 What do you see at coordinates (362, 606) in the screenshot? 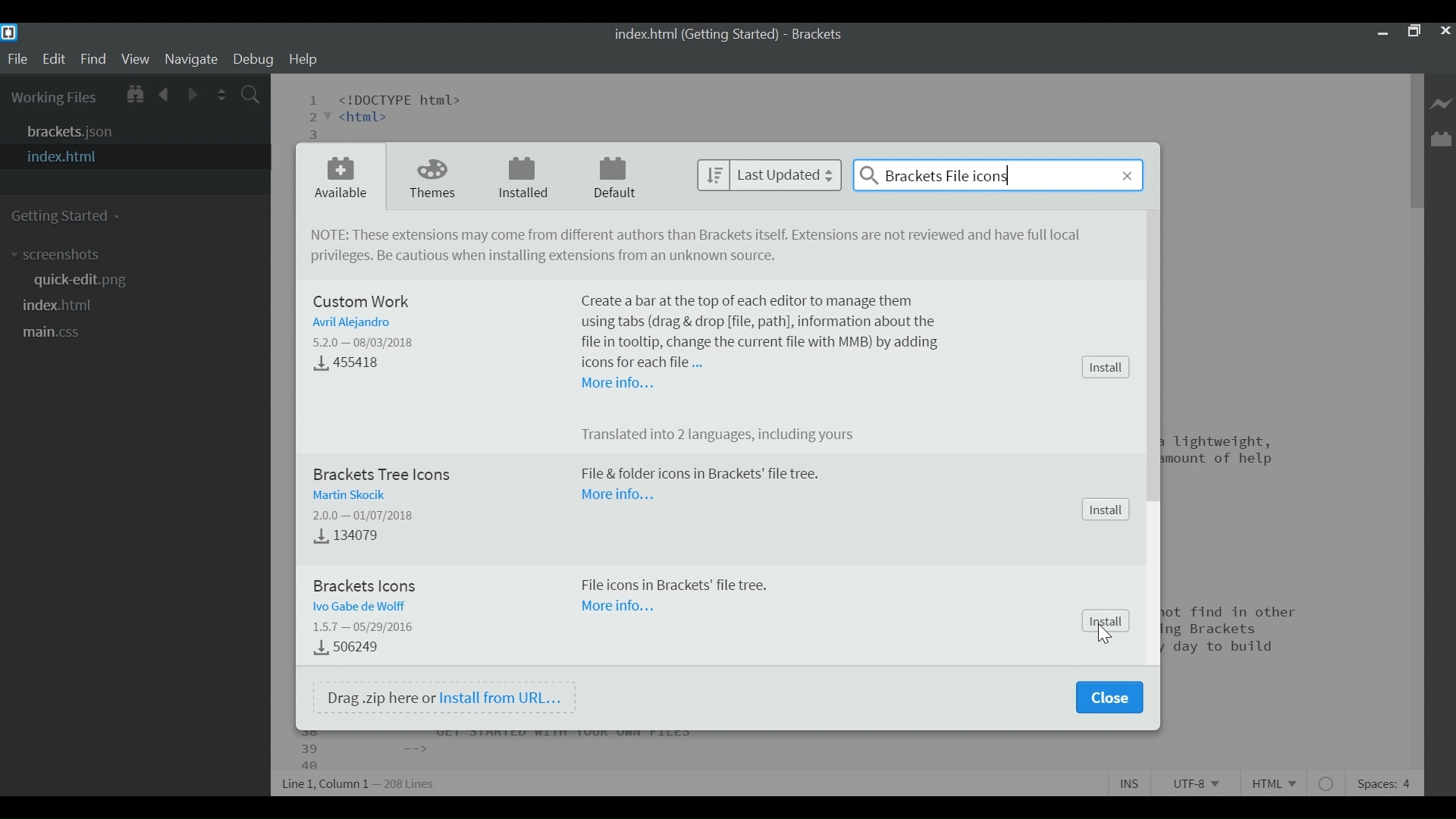
I see `Author` at bounding box center [362, 606].